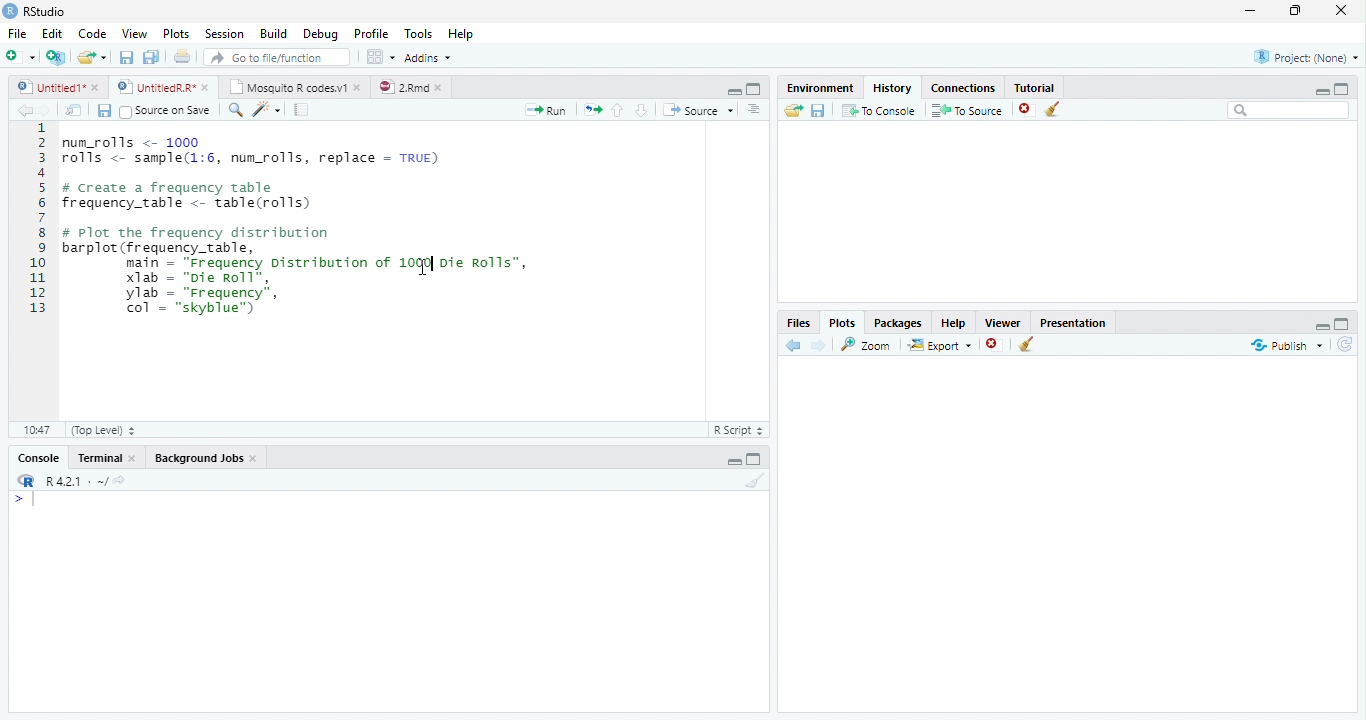  Describe the element at coordinates (755, 459) in the screenshot. I see `Expand Height` at that location.